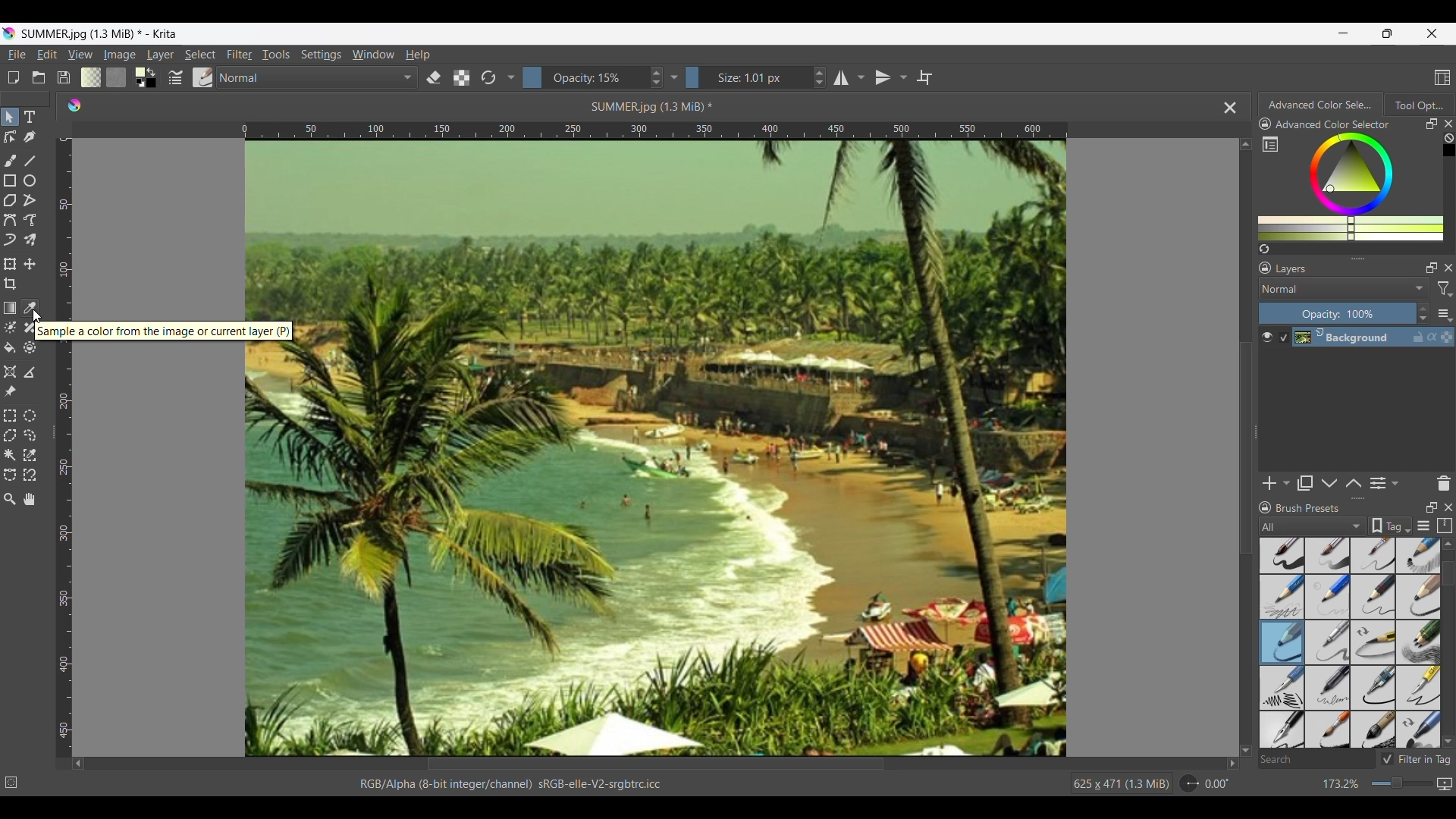 The image size is (1456, 819). What do you see at coordinates (1449, 268) in the screenshot?
I see `Close panel` at bounding box center [1449, 268].